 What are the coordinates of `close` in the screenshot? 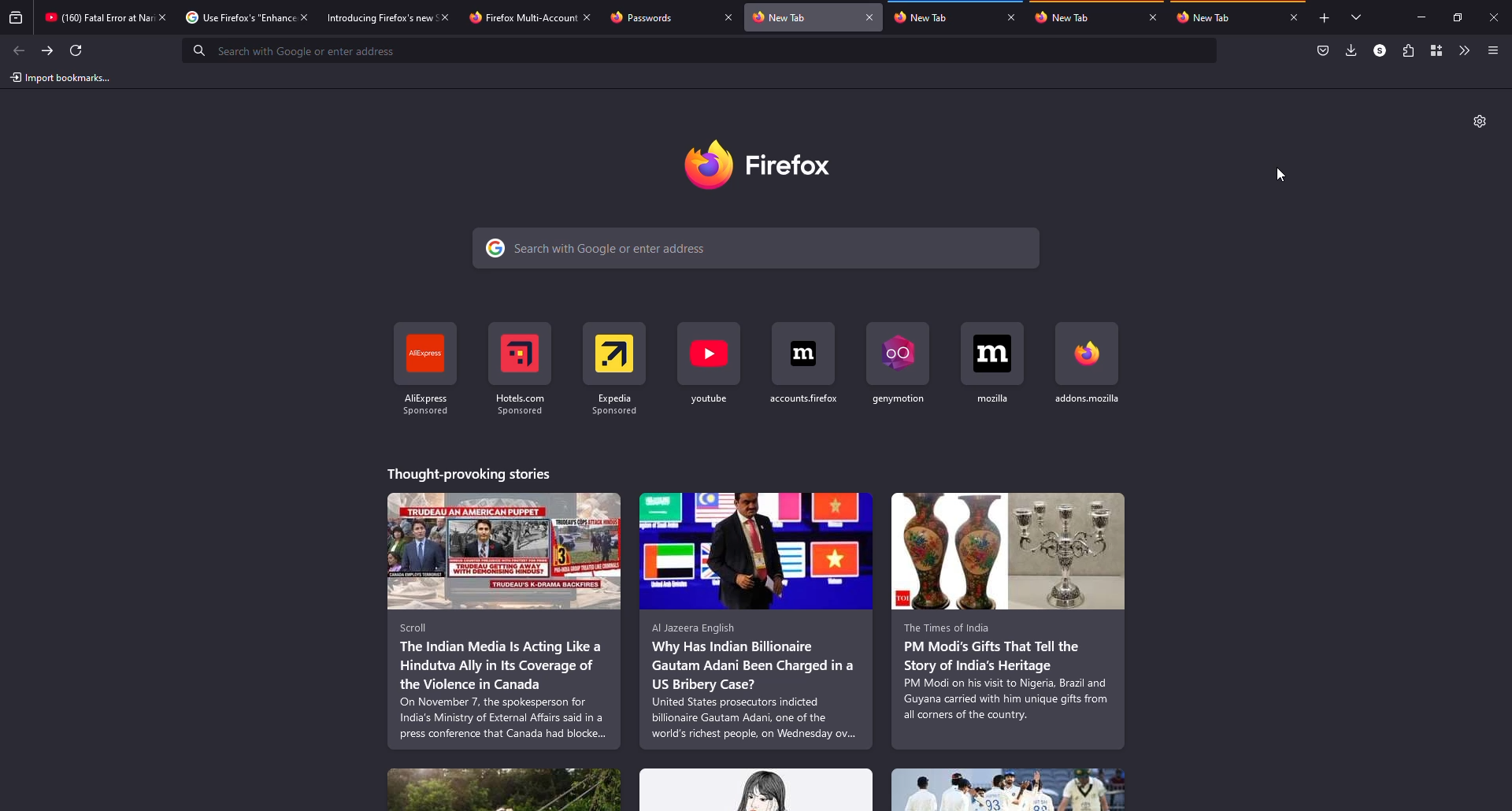 It's located at (1294, 17).